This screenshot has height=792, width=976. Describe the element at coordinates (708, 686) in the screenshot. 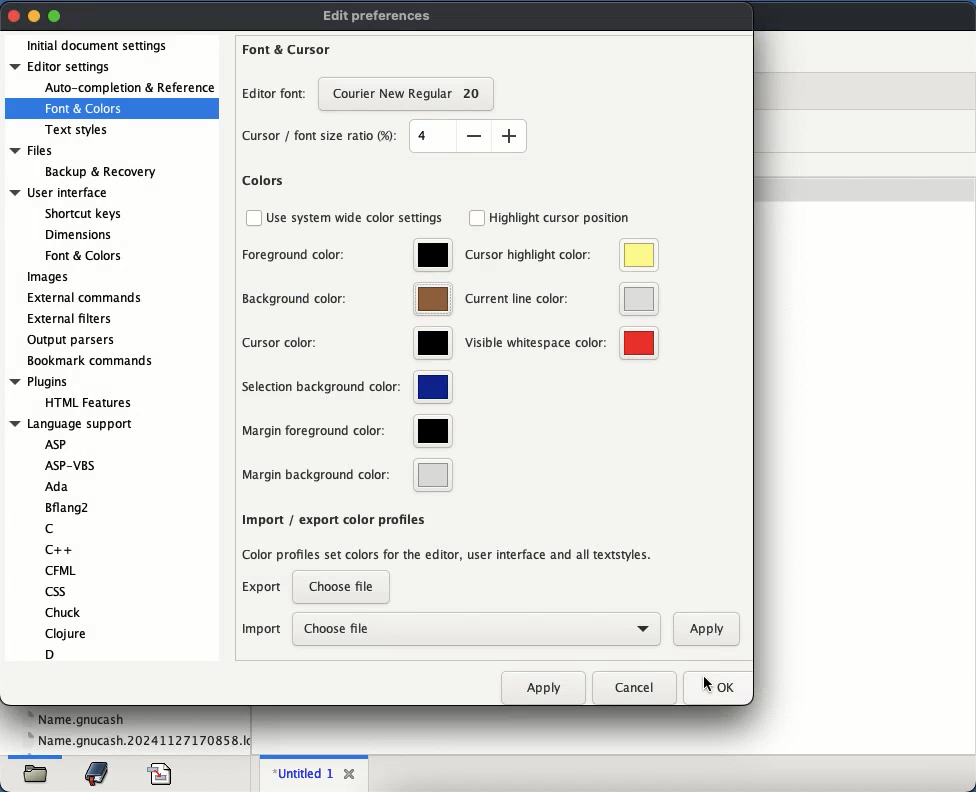

I see `cursor` at that location.